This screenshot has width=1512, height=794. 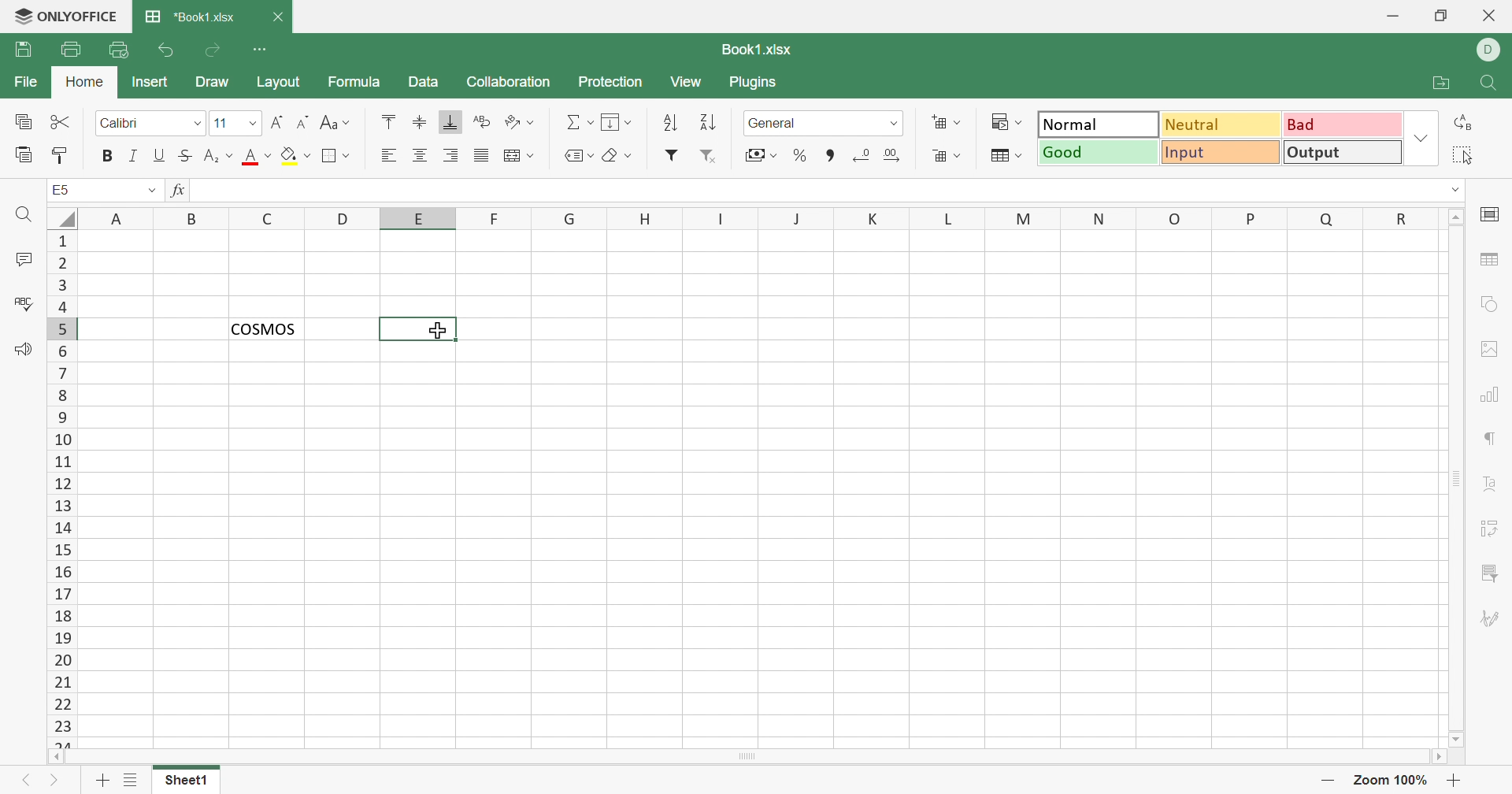 What do you see at coordinates (618, 123) in the screenshot?
I see `Fill` at bounding box center [618, 123].